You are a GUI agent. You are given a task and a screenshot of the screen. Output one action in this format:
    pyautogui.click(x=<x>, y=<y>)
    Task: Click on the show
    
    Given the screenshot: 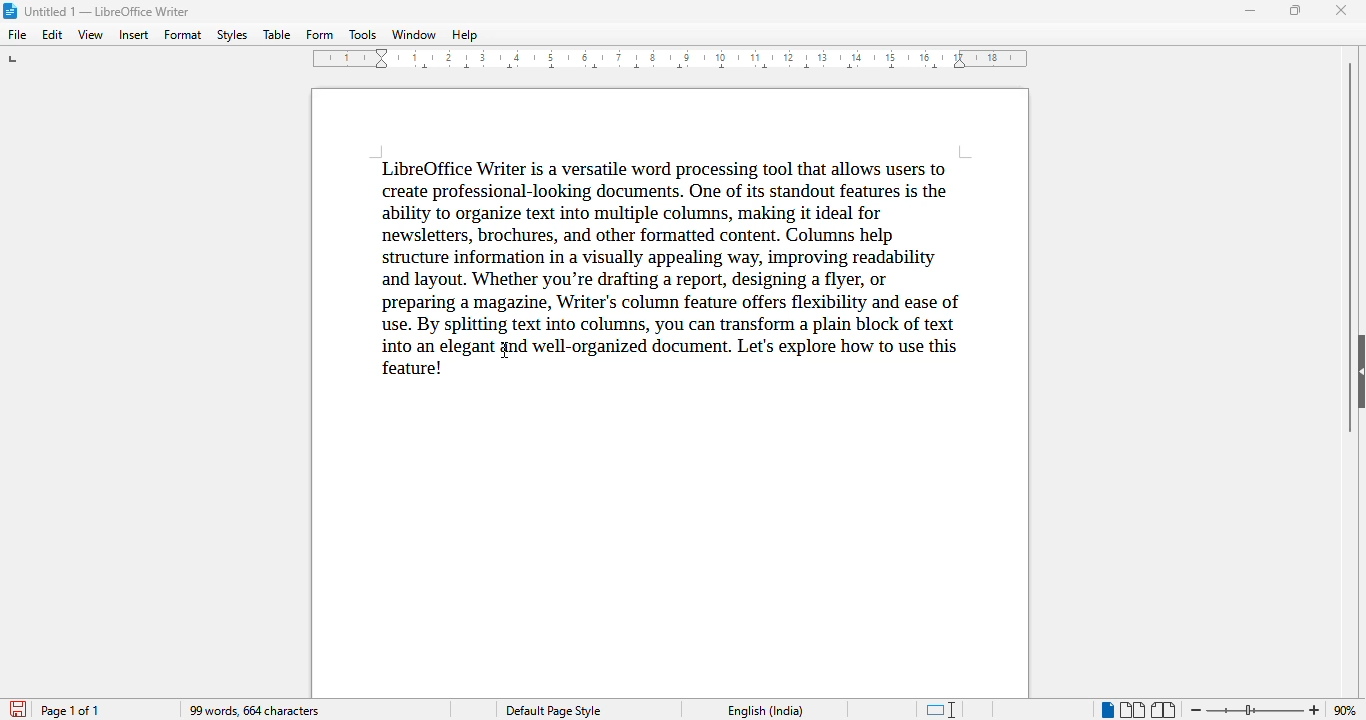 What is the action you would take?
    pyautogui.click(x=1357, y=370)
    